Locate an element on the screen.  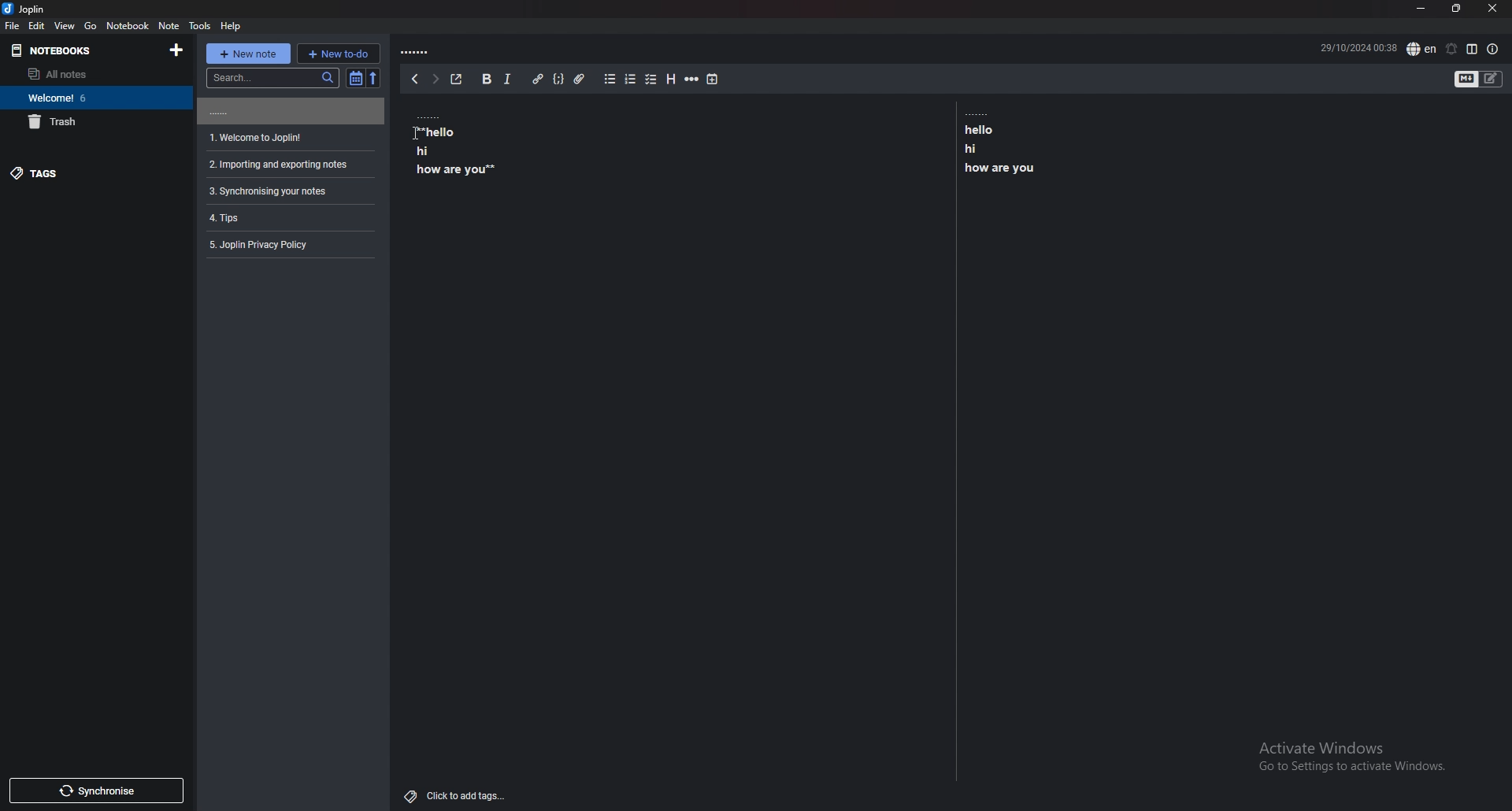
file is located at coordinates (13, 26).